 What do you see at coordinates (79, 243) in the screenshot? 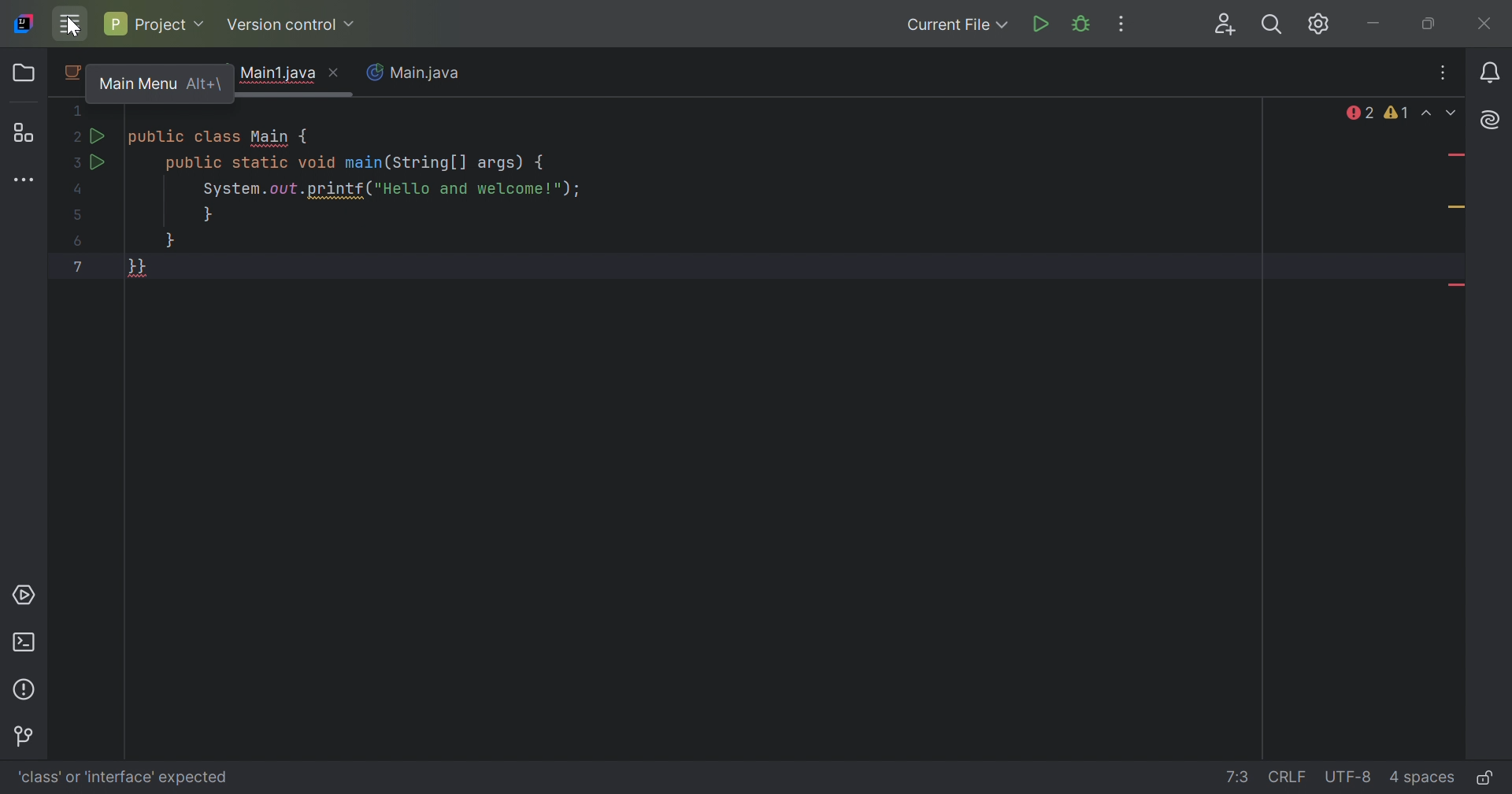
I see `6` at bounding box center [79, 243].